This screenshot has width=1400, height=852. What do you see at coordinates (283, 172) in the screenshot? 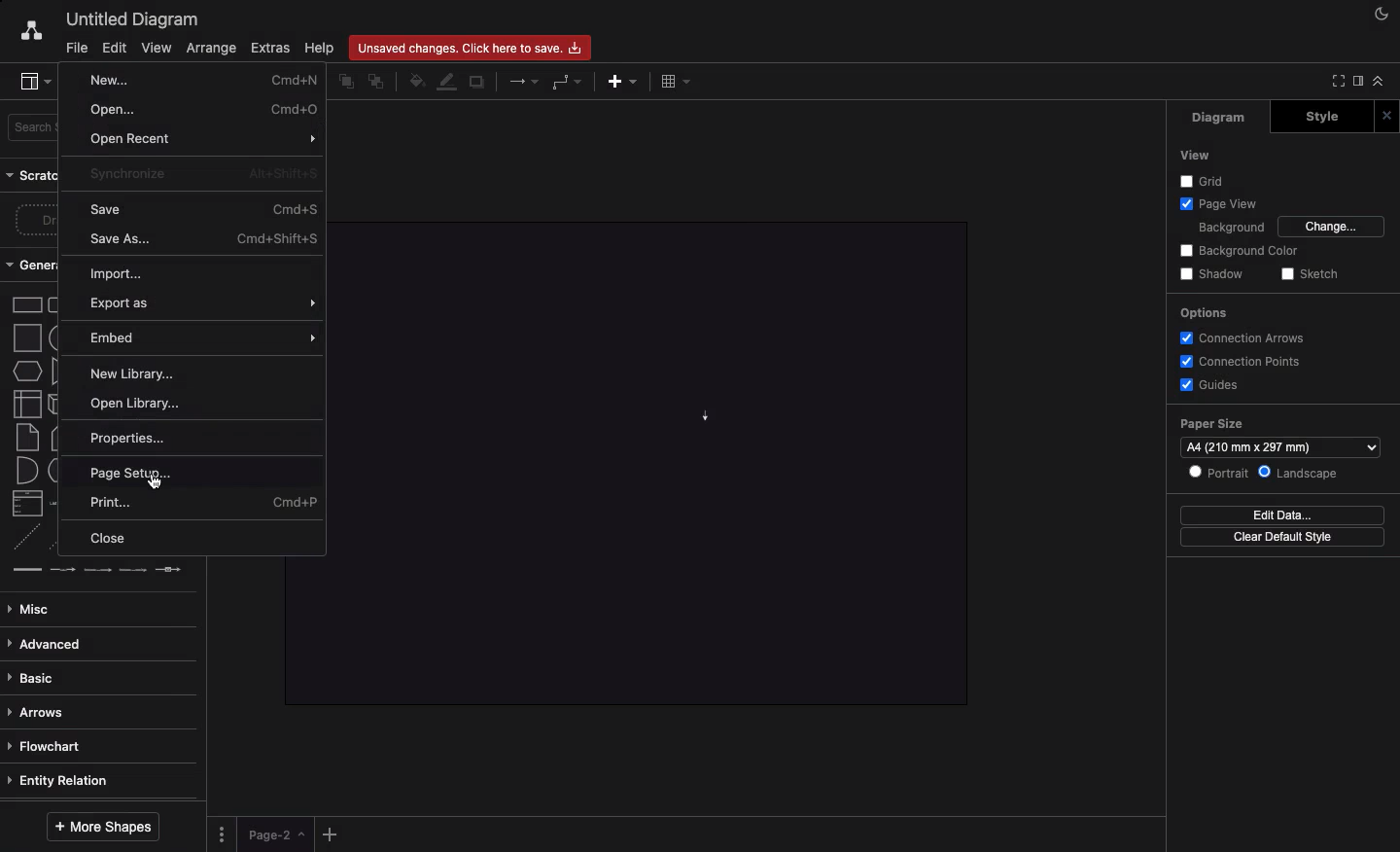
I see `Alt+Shift+S` at bounding box center [283, 172].